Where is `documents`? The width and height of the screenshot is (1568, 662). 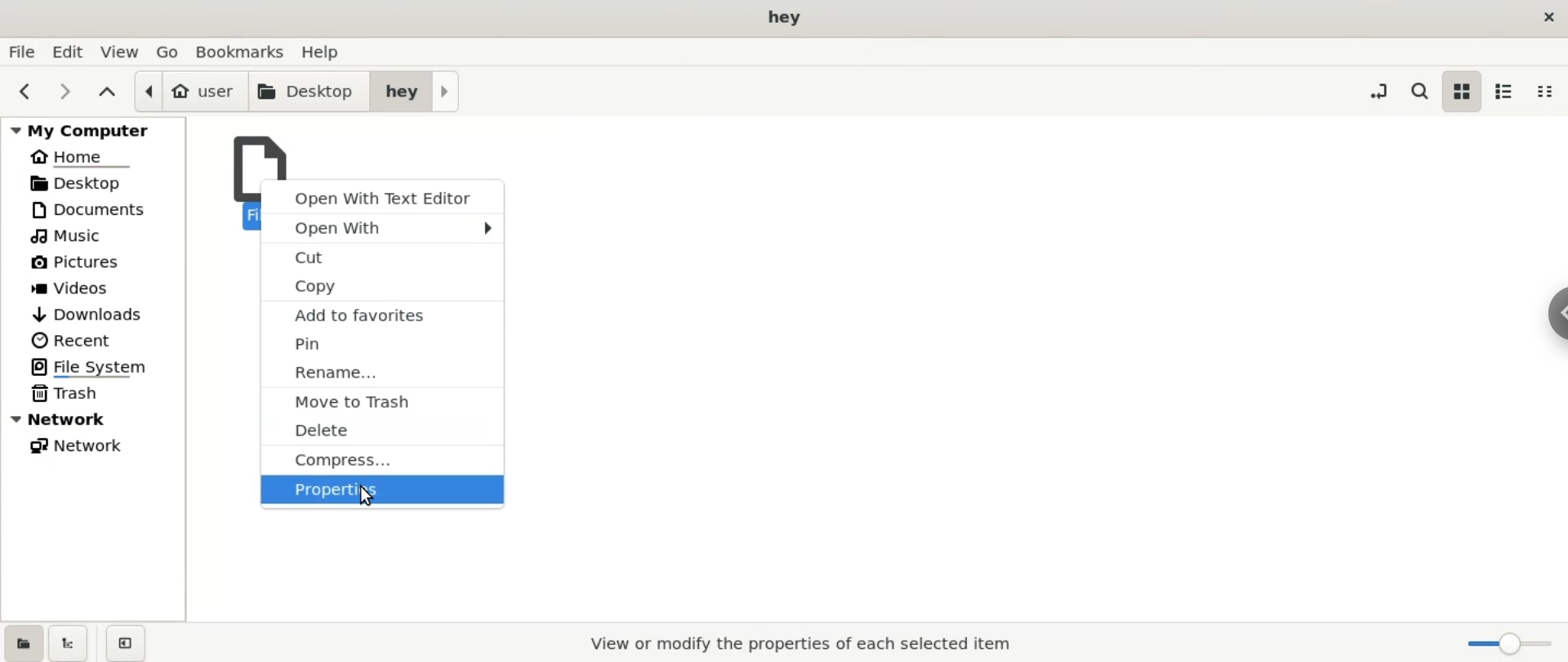 documents is located at coordinates (93, 211).